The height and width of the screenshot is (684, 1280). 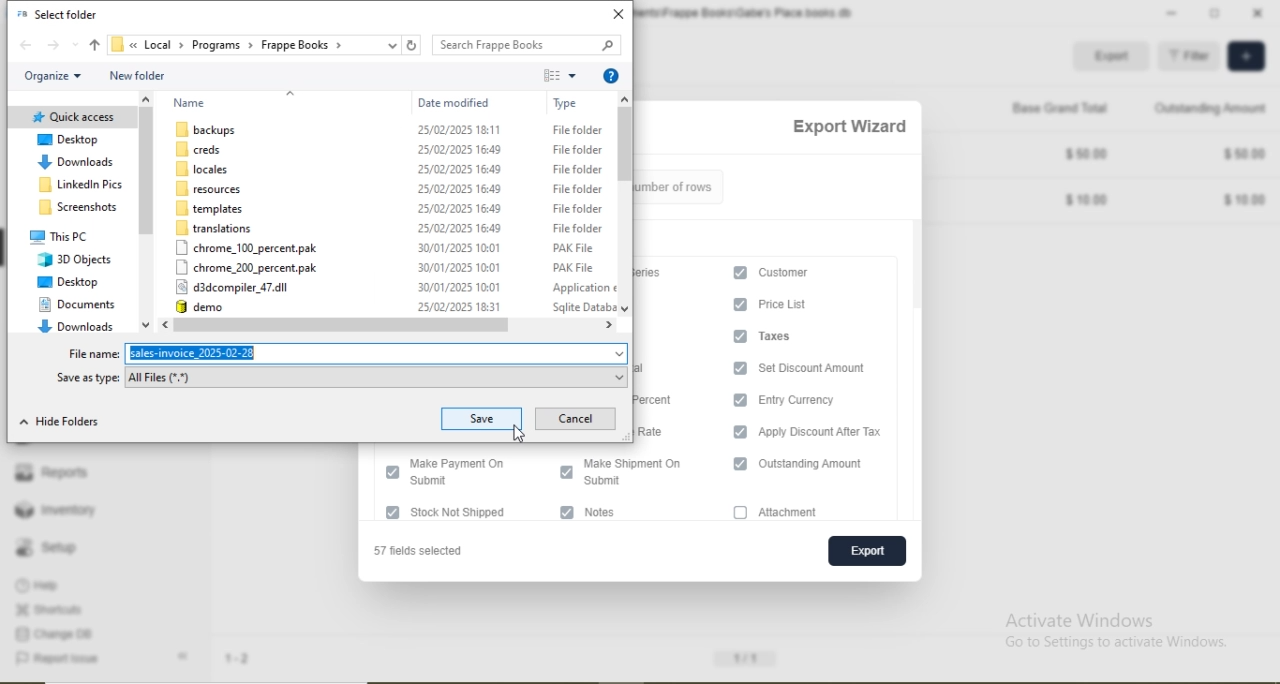 What do you see at coordinates (55, 75) in the screenshot?
I see `Organize` at bounding box center [55, 75].